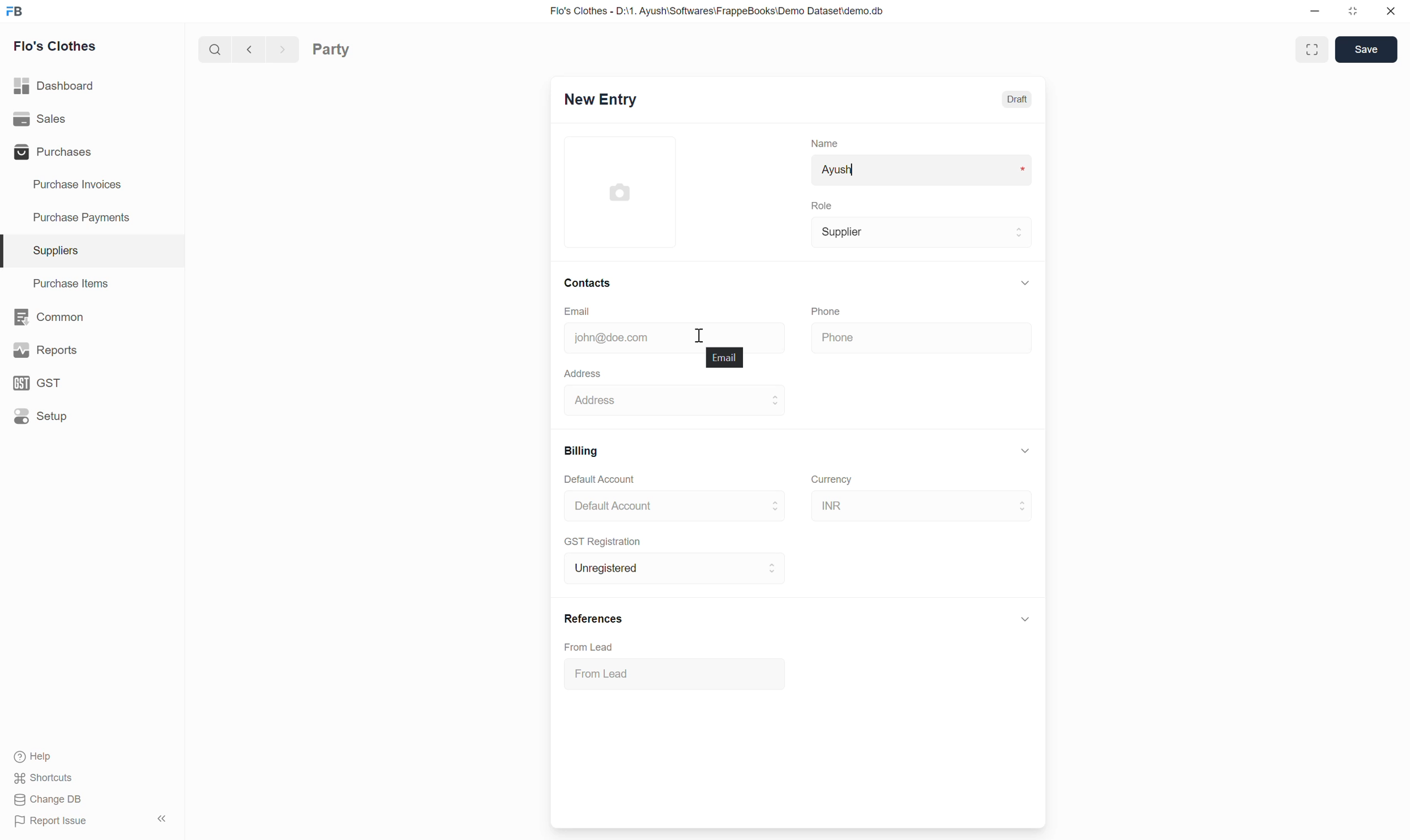 The width and height of the screenshot is (1410, 840). What do you see at coordinates (14, 11) in the screenshot?
I see `Frappe Books logo` at bounding box center [14, 11].